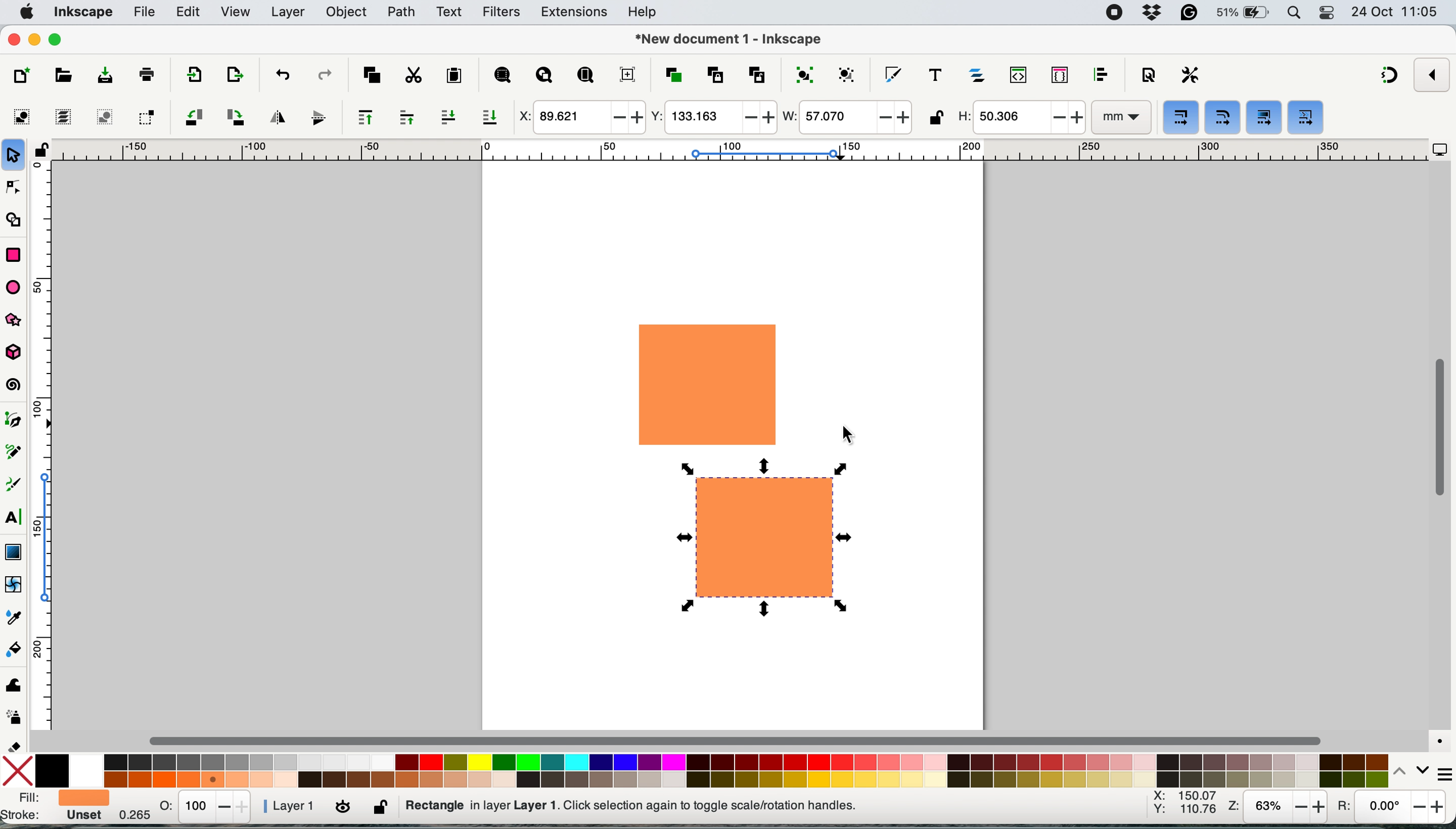 The image size is (1456, 829). I want to click on new, so click(24, 76).